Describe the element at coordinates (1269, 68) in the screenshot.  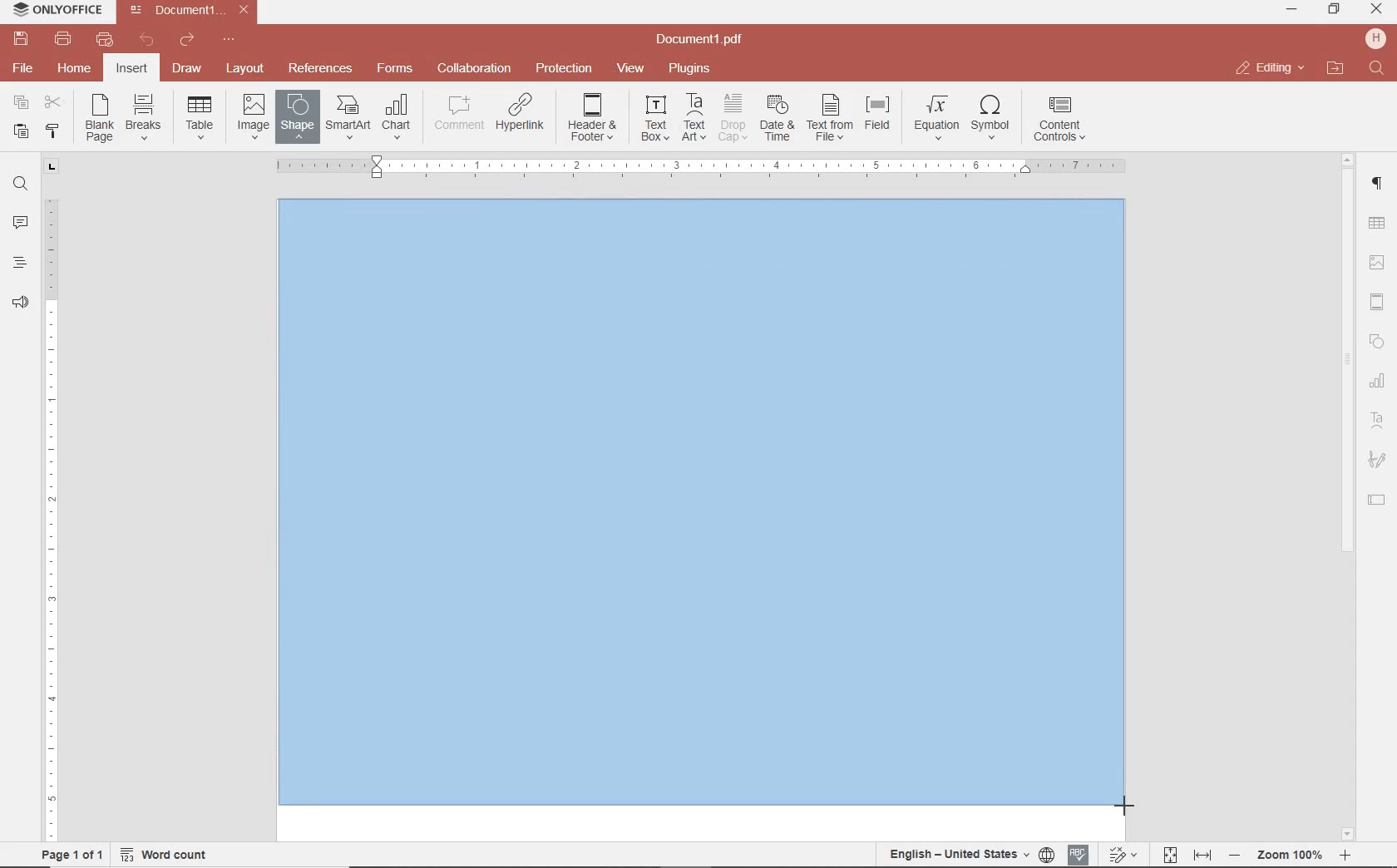
I see `close` at that location.